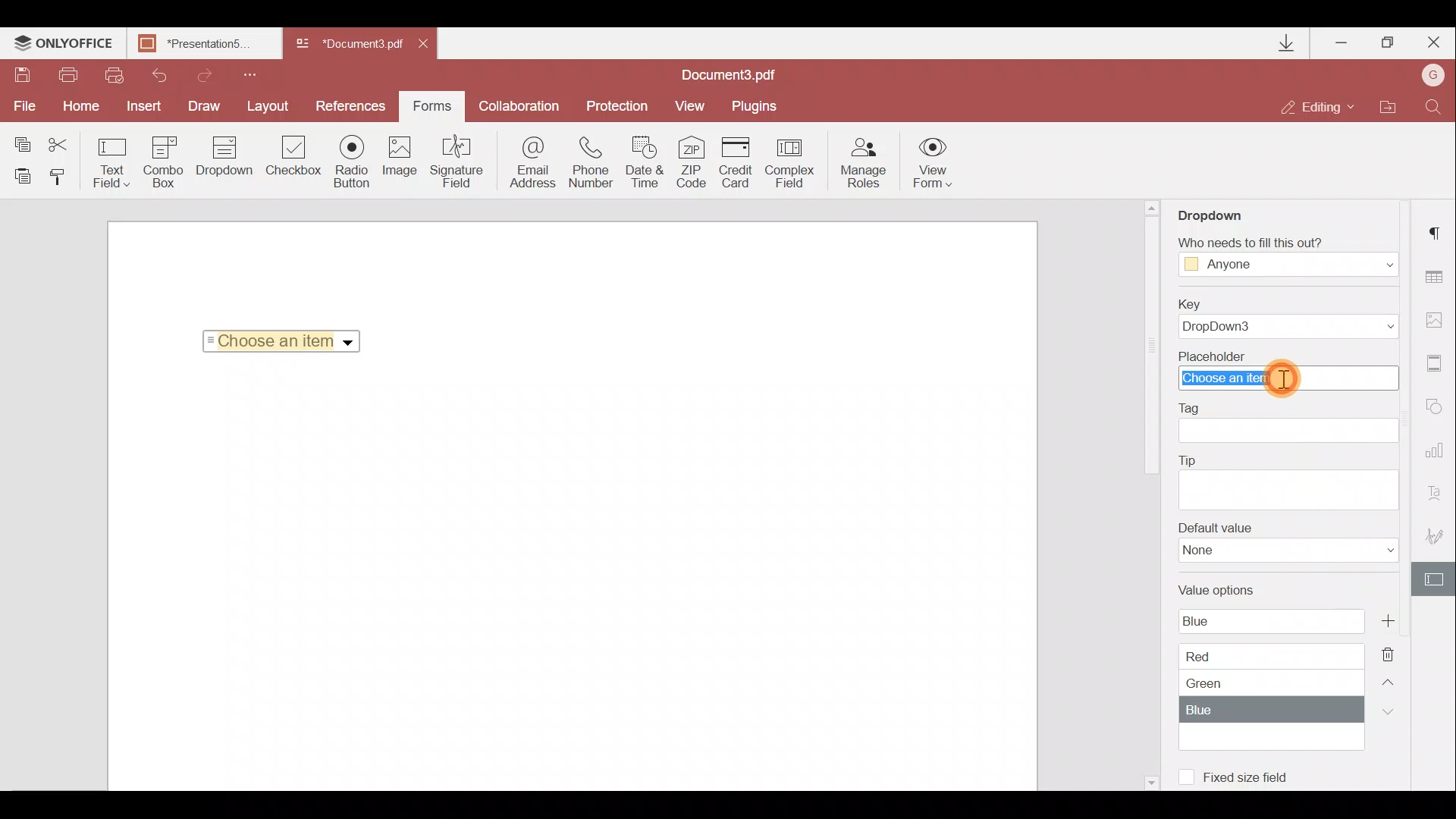 The image size is (1456, 819). Describe the element at coordinates (1319, 108) in the screenshot. I see `Editing mode` at that location.